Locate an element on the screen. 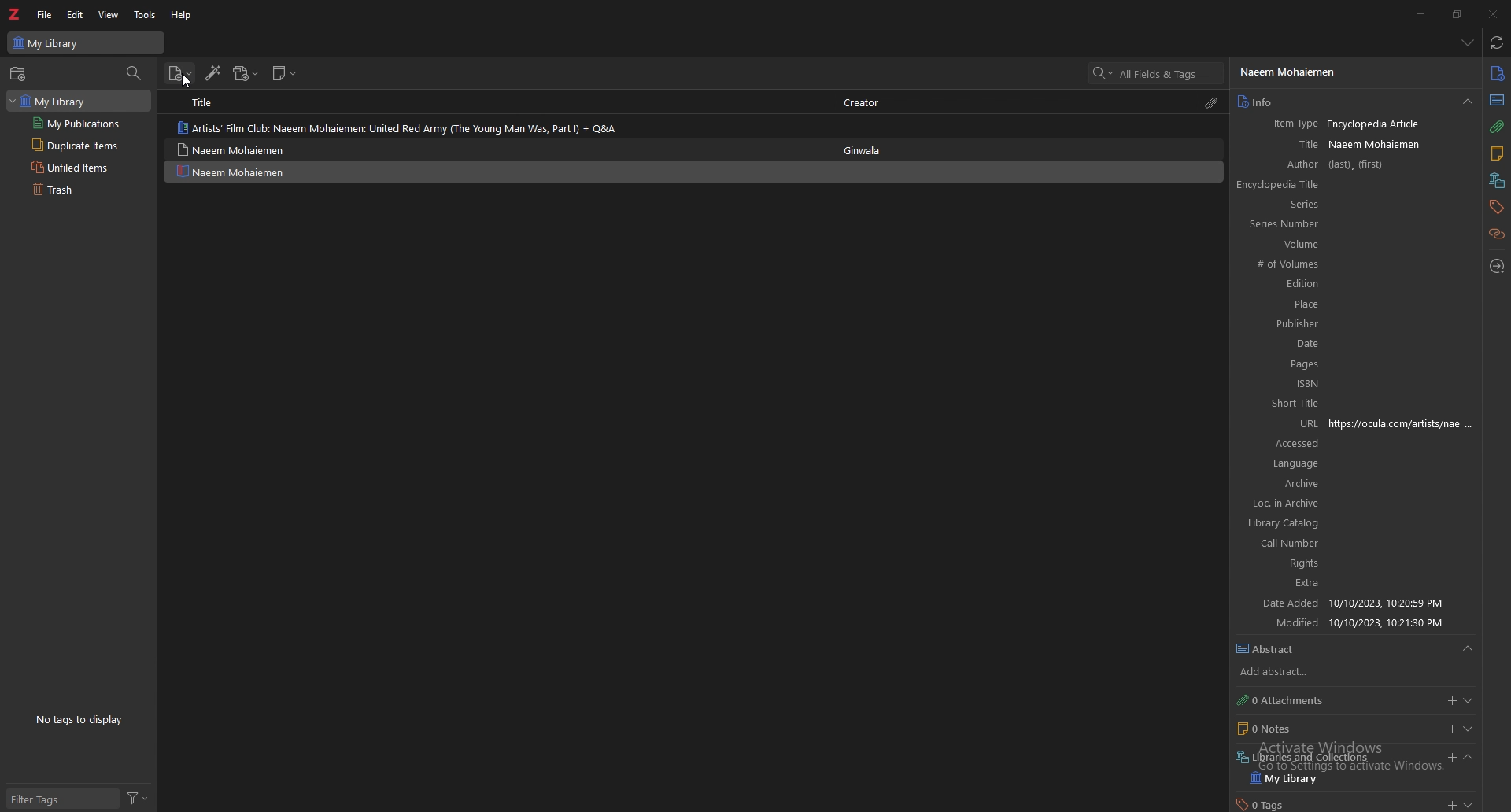  date added input is located at coordinates (1400, 601).